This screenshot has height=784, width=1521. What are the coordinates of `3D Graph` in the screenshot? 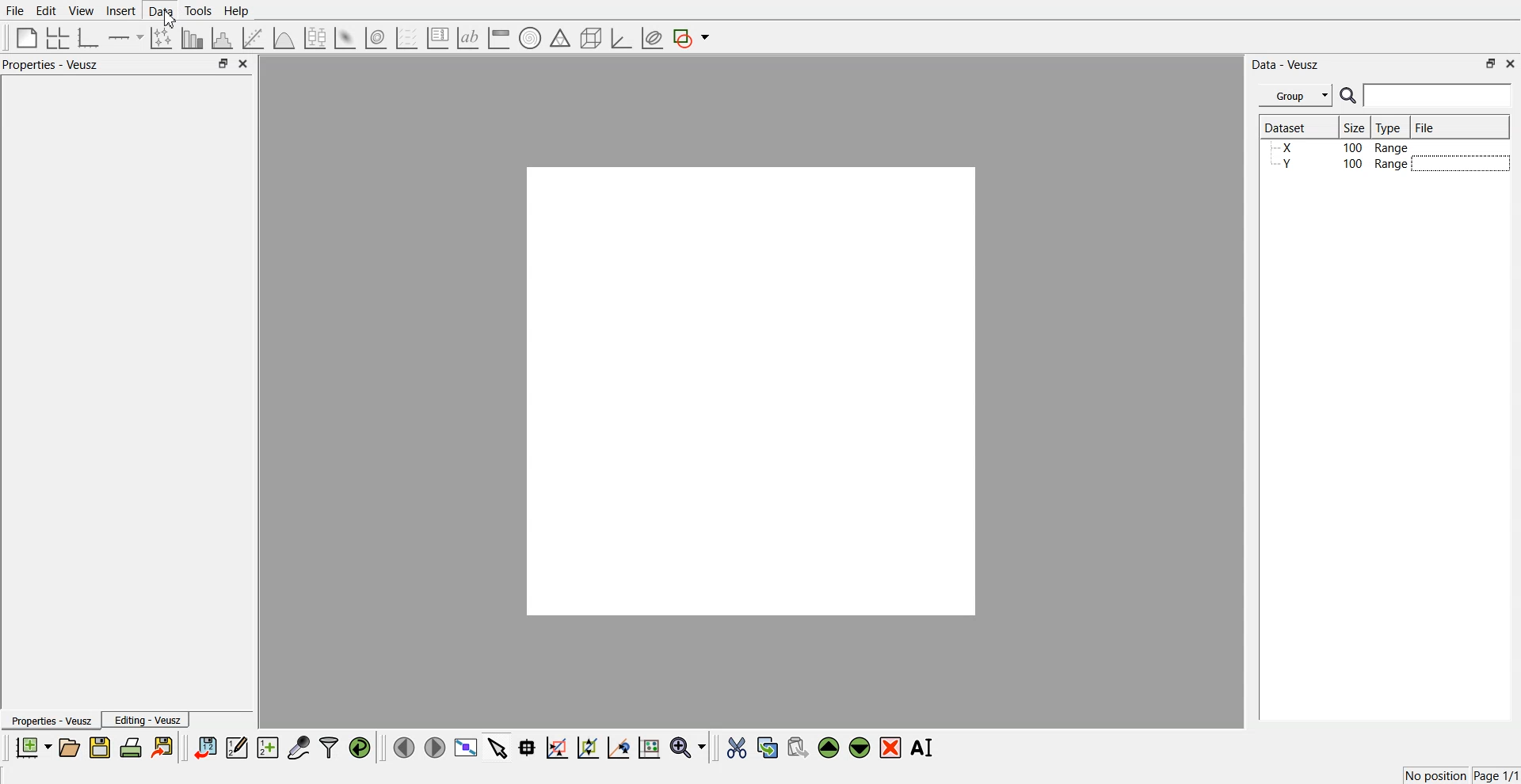 It's located at (621, 38).